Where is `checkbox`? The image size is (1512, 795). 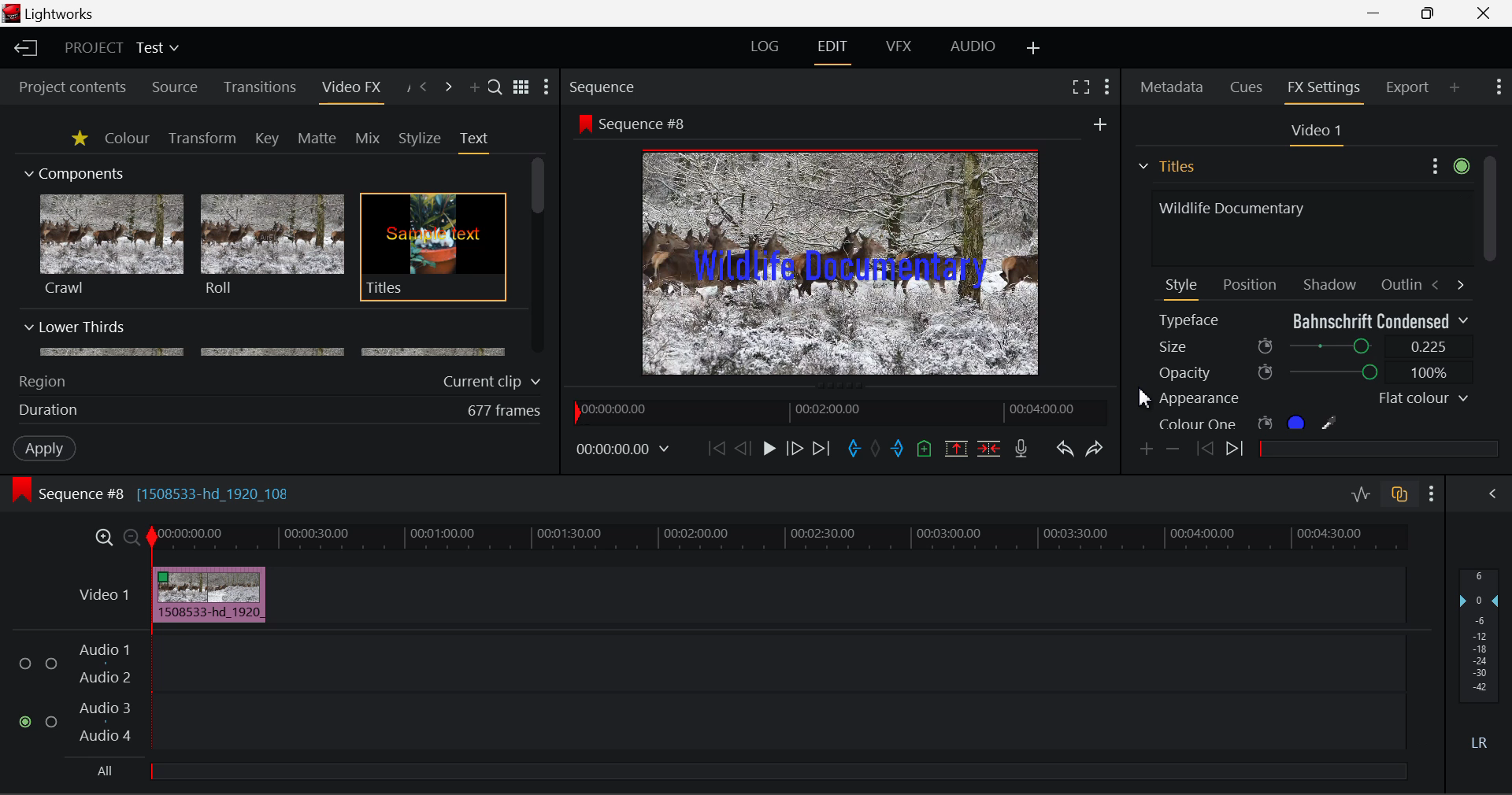
checkbox is located at coordinates (28, 664).